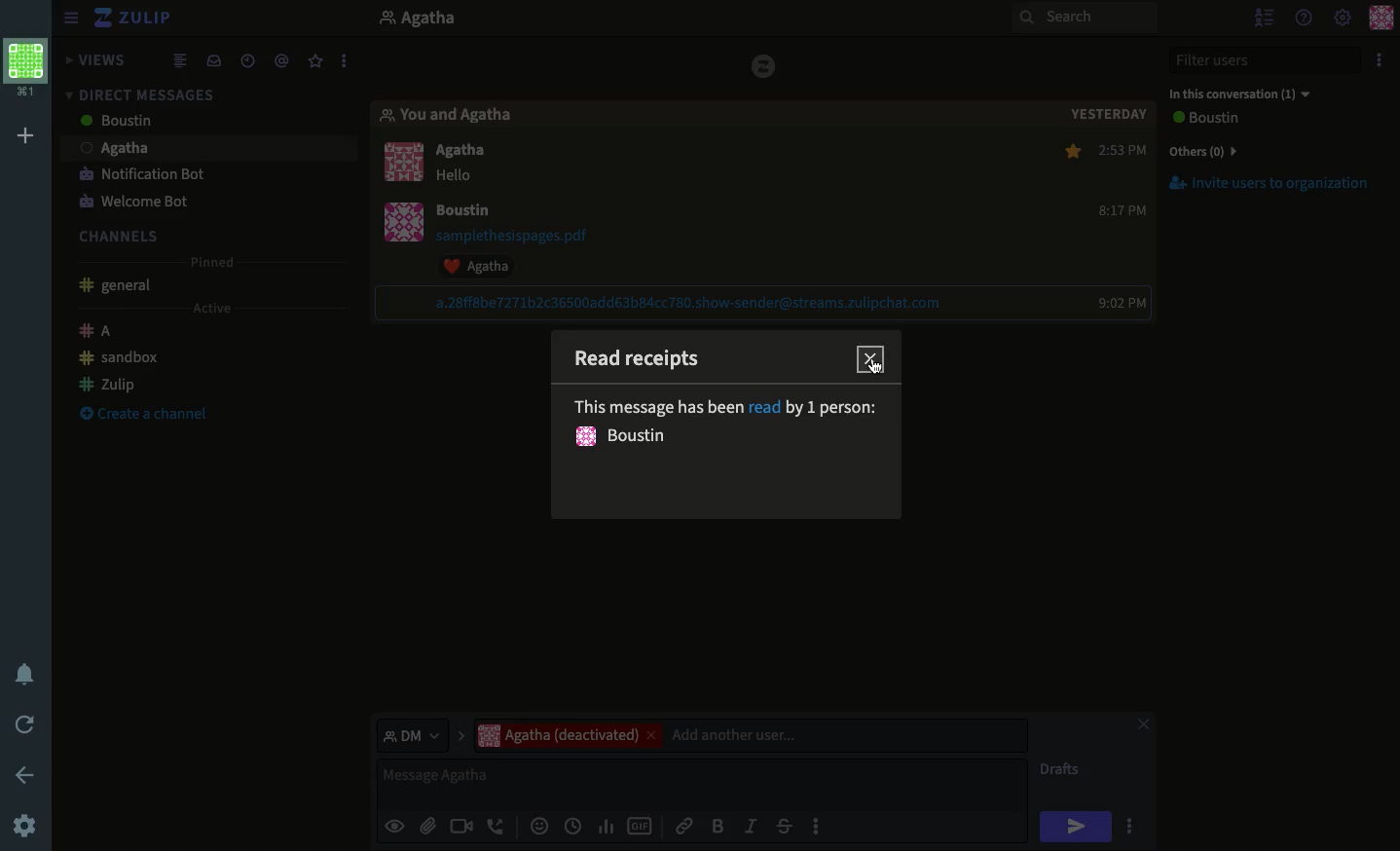  I want to click on user, so click(472, 212).